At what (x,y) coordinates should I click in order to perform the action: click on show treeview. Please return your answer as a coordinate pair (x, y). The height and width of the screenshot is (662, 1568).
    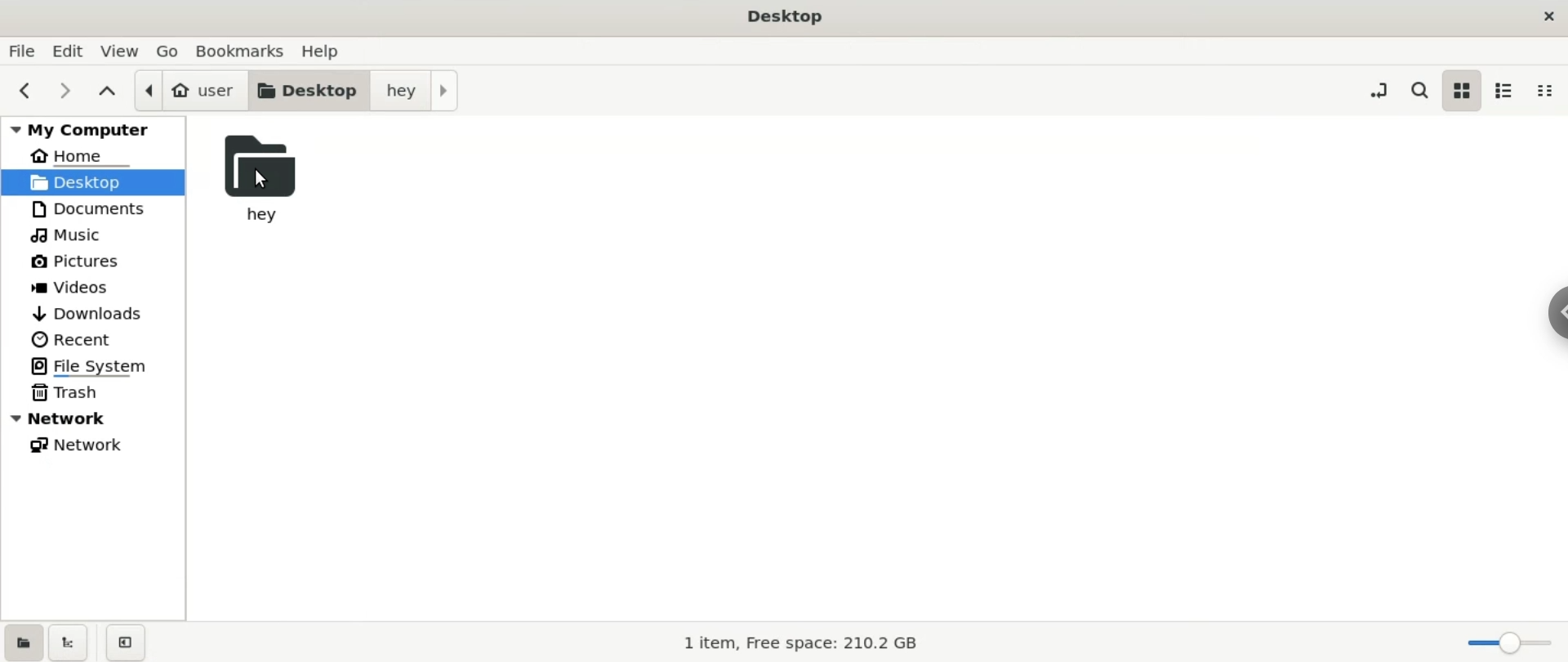
    Looking at the image, I should click on (67, 642).